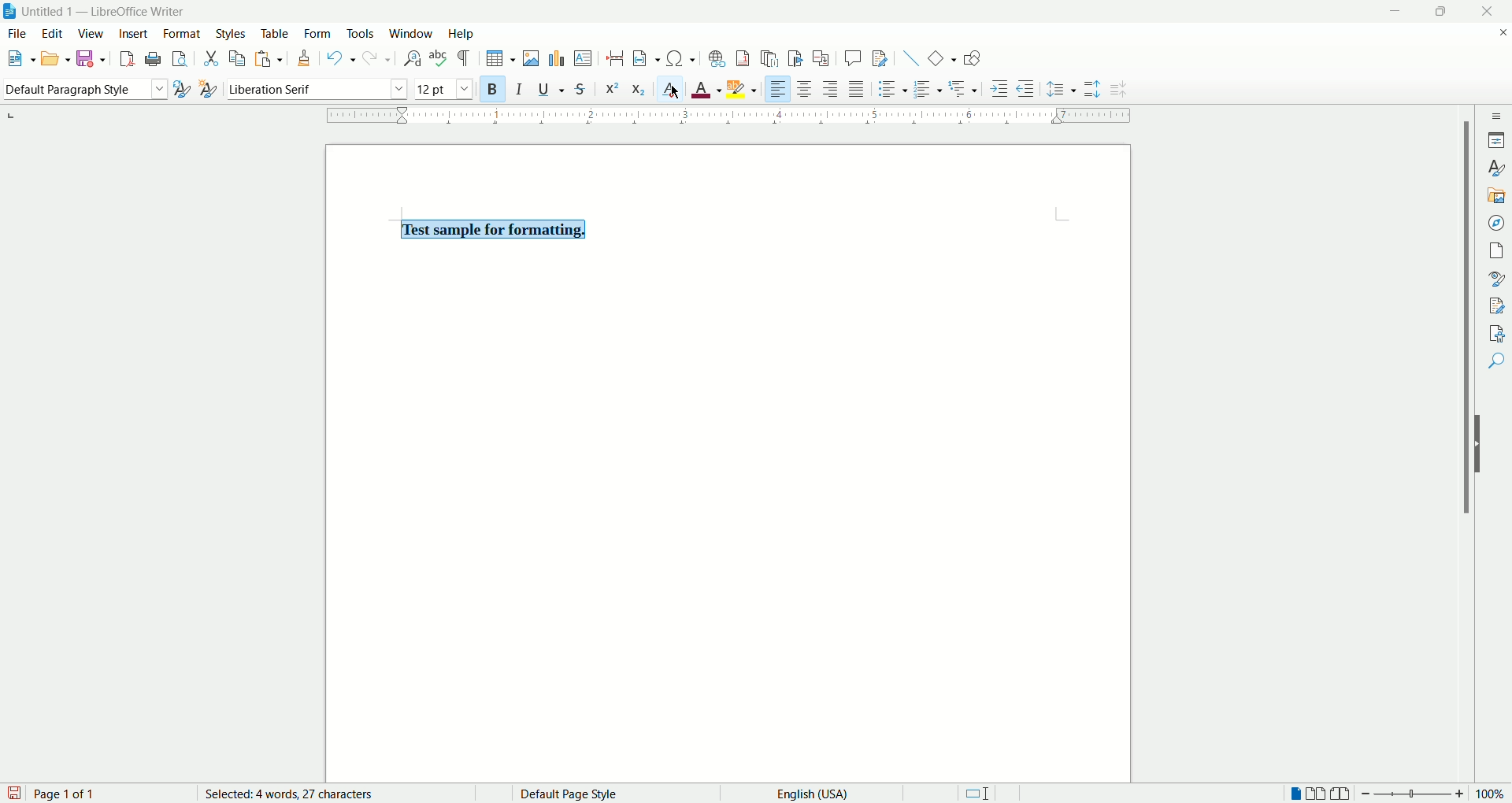 The height and width of the screenshot is (803, 1512). I want to click on insert chart, so click(554, 58).